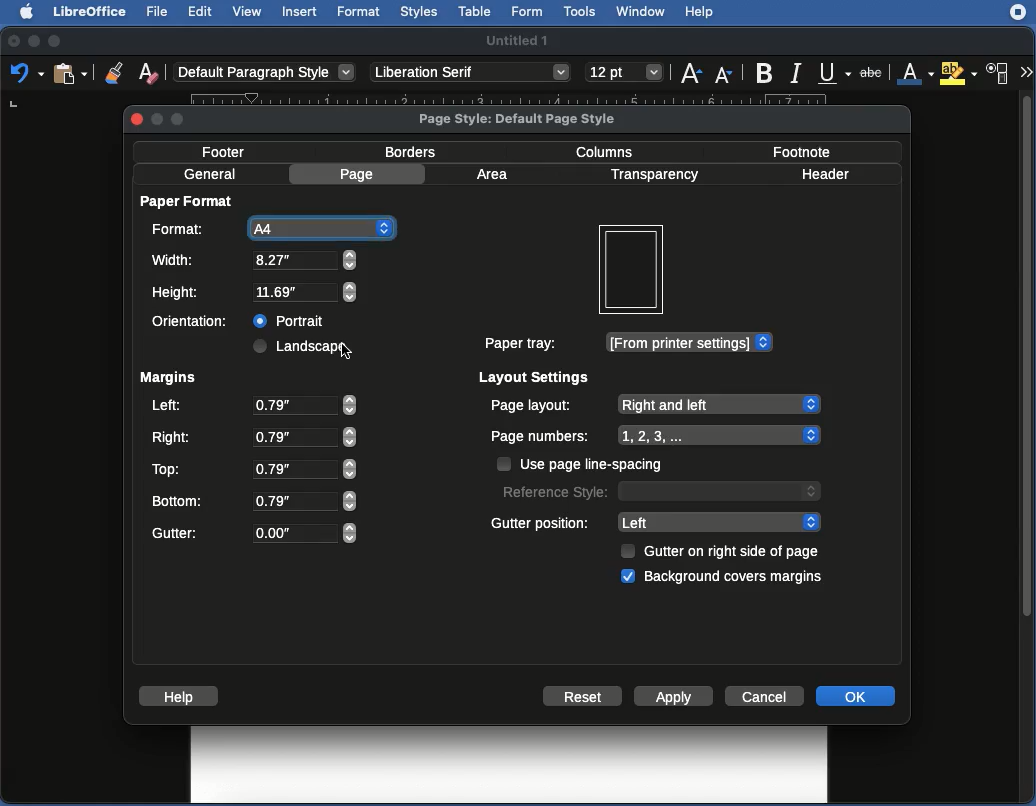 The image size is (1036, 806). Describe the element at coordinates (523, 119) in the screenshot. I see `Page style: Default page style` at that location.